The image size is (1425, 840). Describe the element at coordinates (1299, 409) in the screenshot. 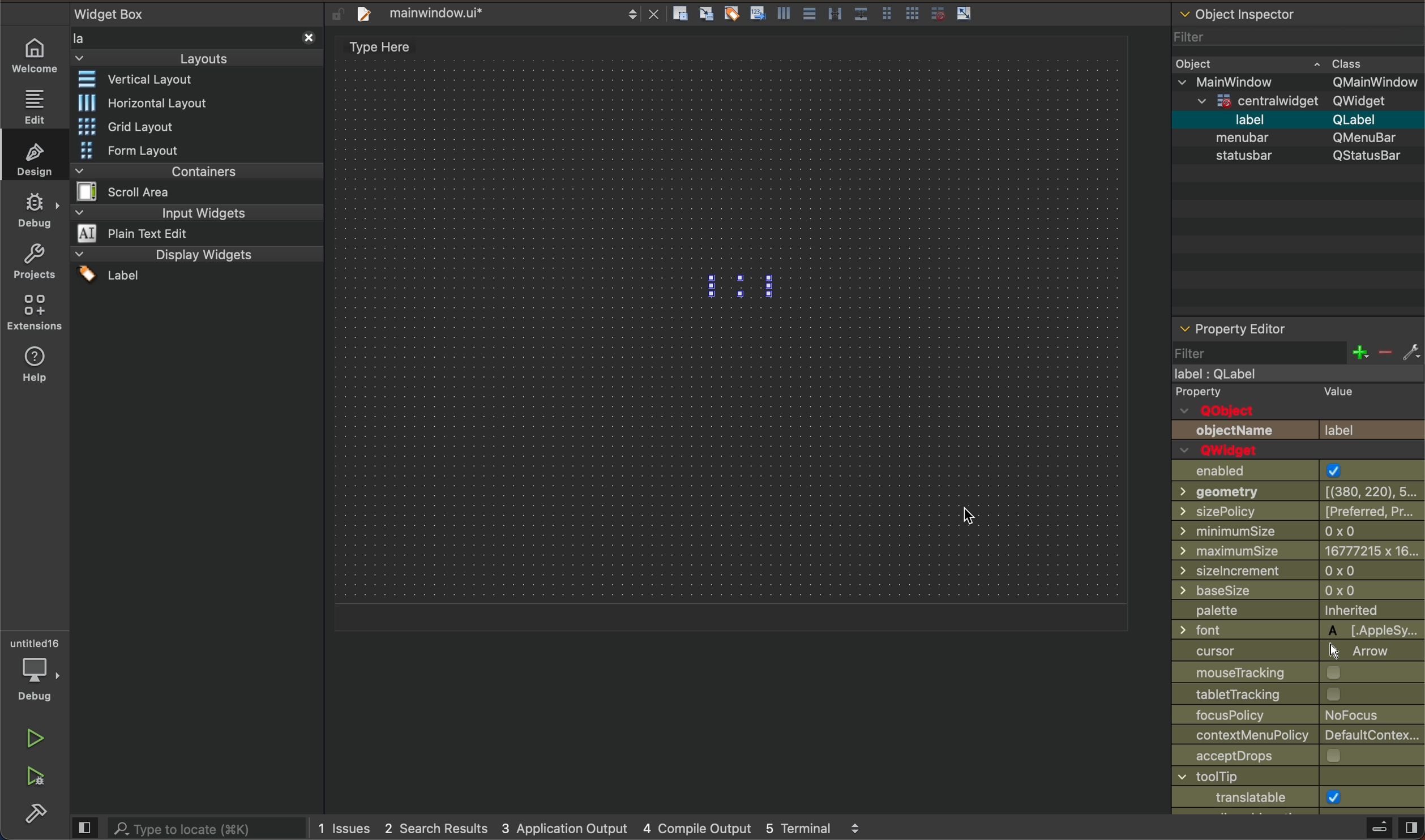

I see `Qobject` at that location.